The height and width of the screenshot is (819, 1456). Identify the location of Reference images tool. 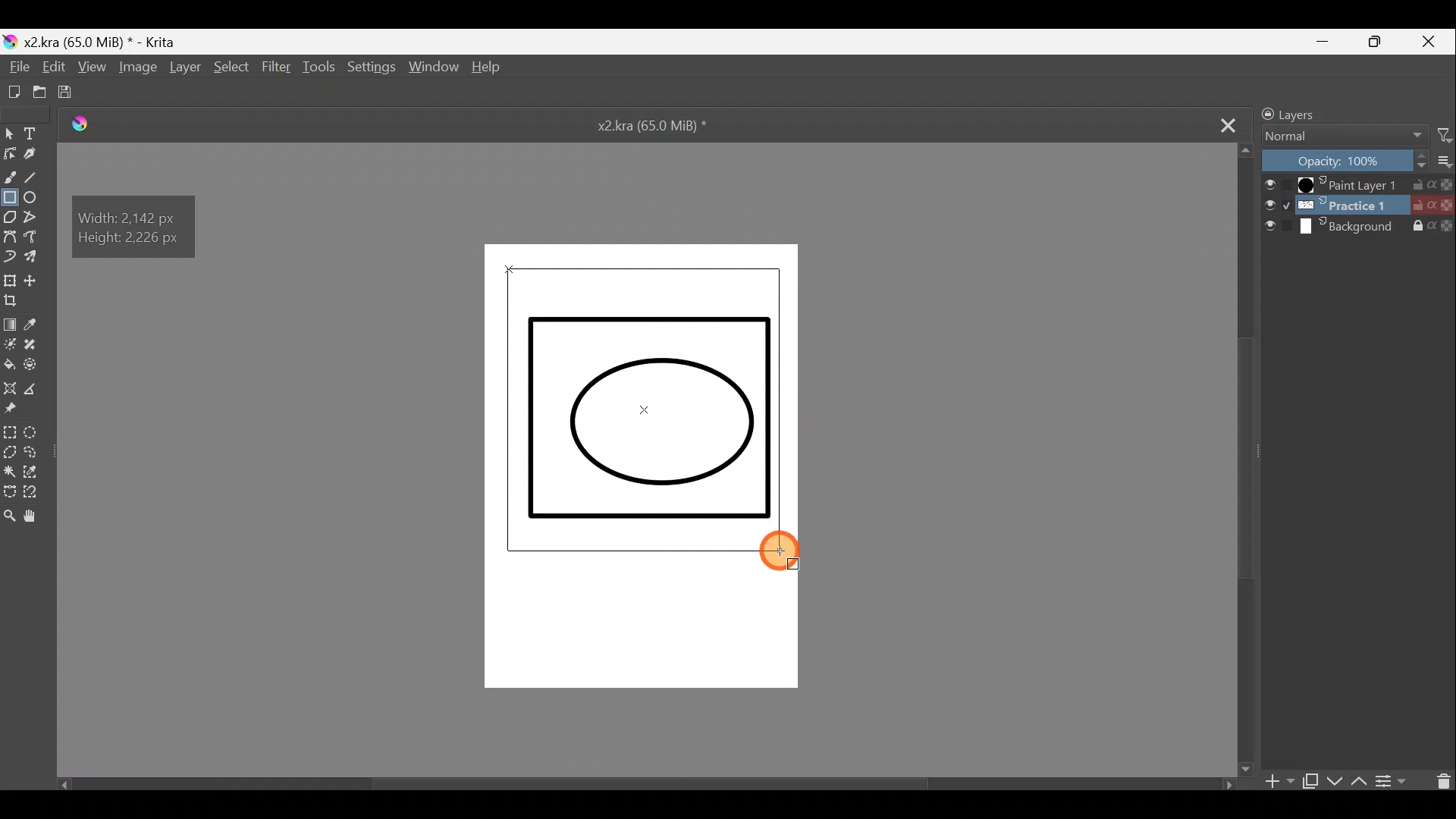
(17, 409).